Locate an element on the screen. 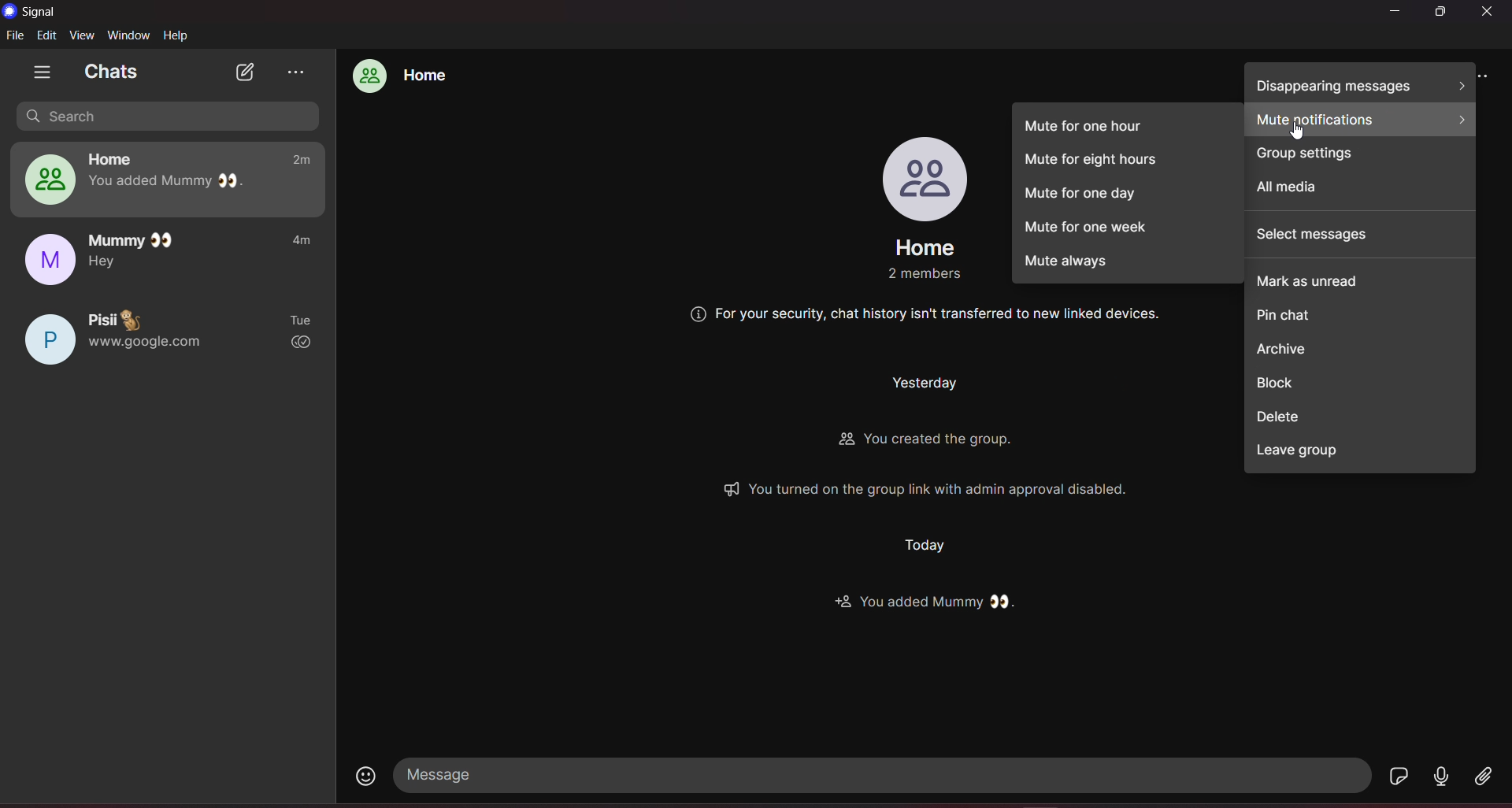 The width and height of the screenshot is (1512, 808). file share is located at coordinates (1482, 776).